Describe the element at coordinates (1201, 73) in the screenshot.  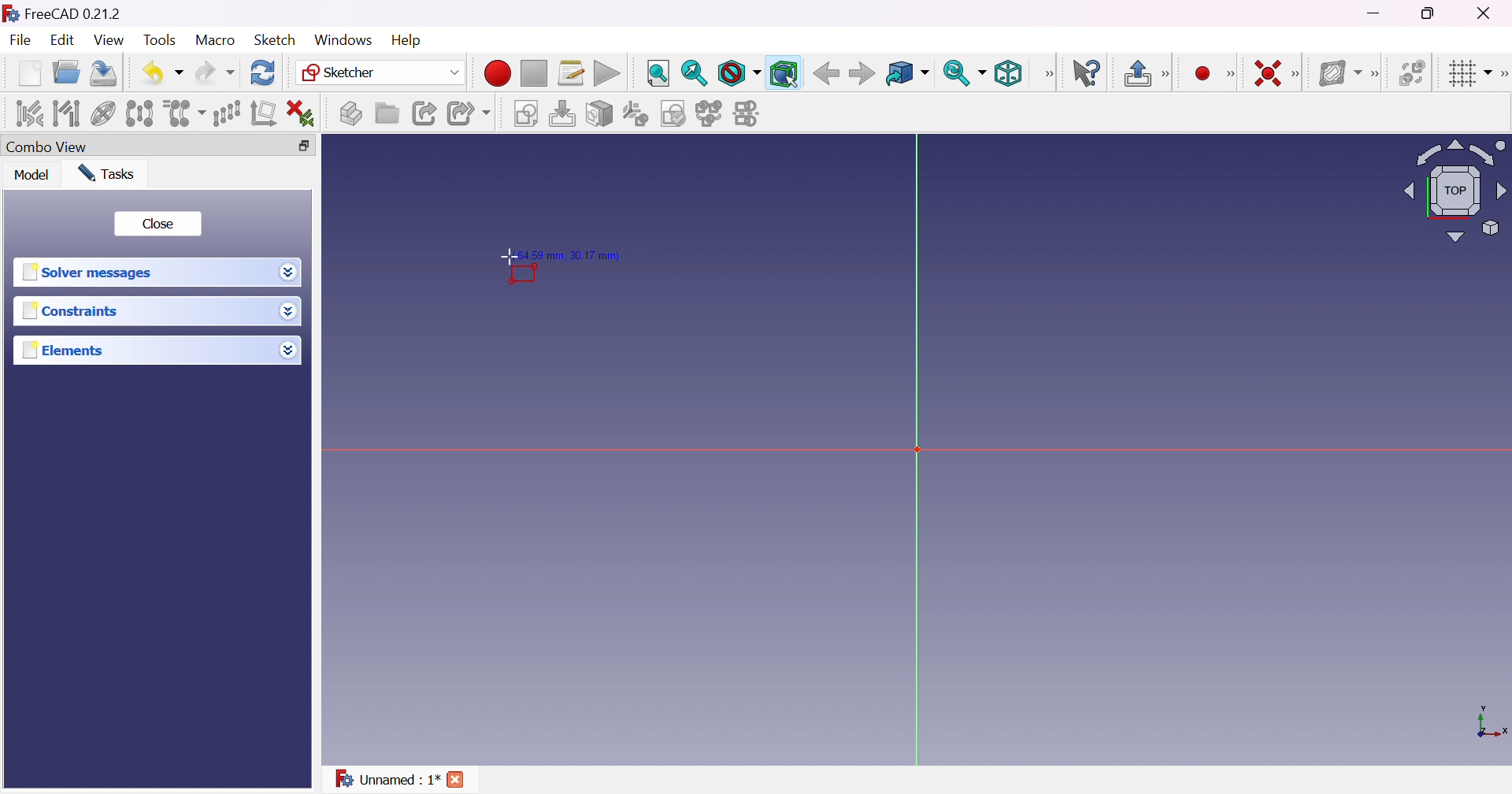
I see `Create point` at that location.